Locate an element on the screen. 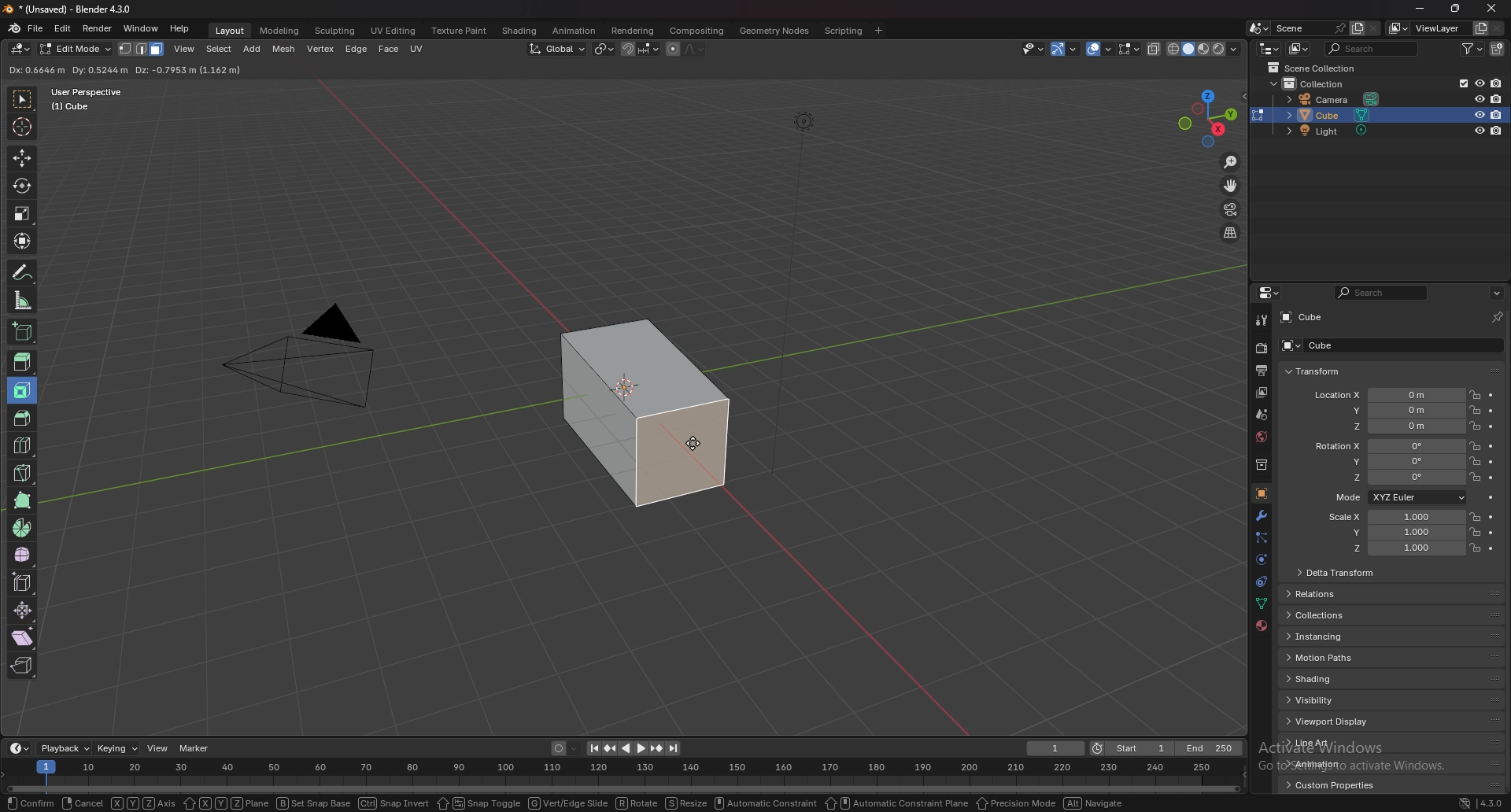  location z is located at coordinates (1389, 426).